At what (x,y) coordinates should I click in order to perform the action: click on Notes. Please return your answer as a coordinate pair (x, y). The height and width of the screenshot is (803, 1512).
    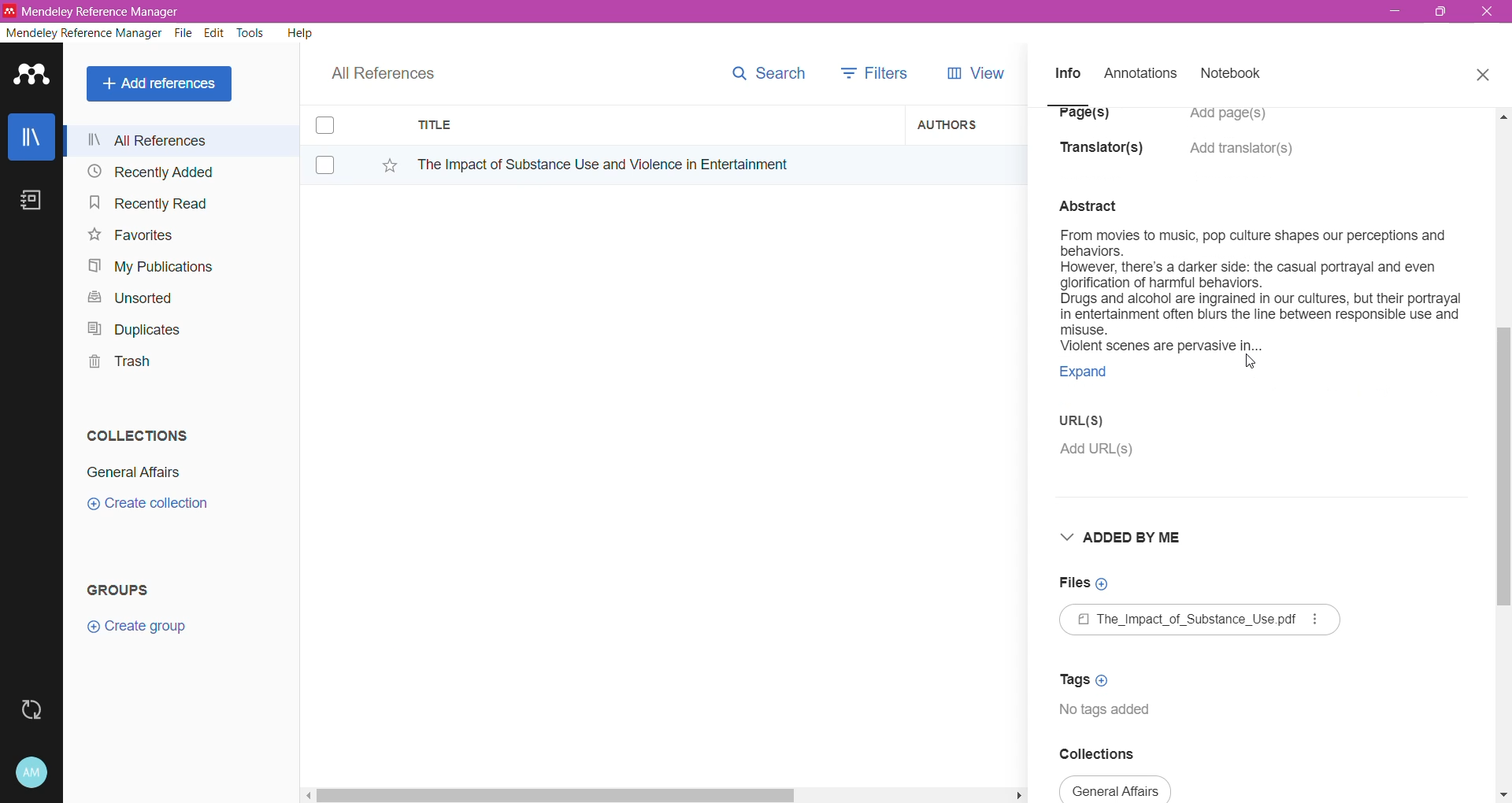
    Looking at the image, I should click on (35, 202).